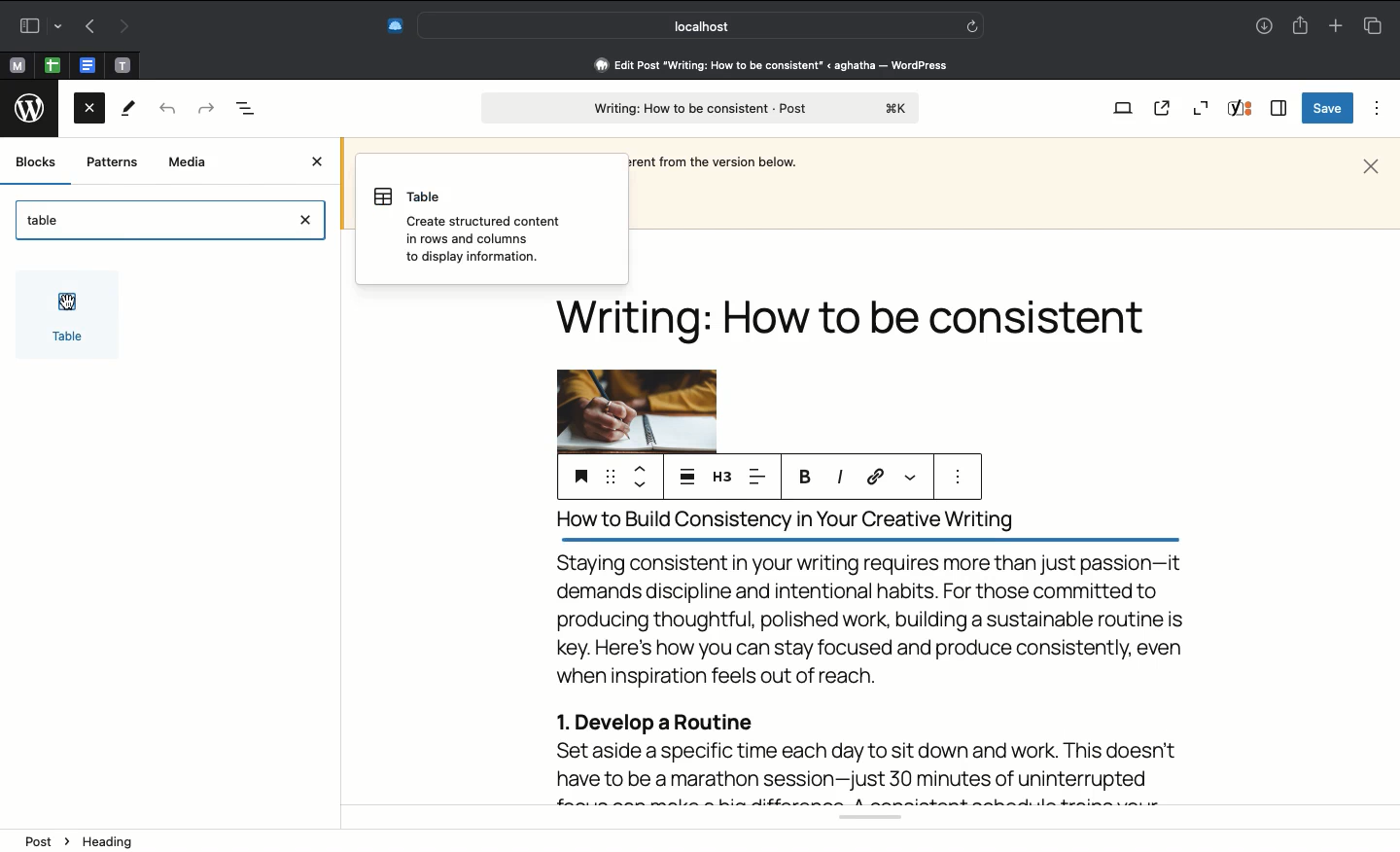 This screenshot has width=1400, height=852. I want to click on Pinned tabs, so click(18, 64).